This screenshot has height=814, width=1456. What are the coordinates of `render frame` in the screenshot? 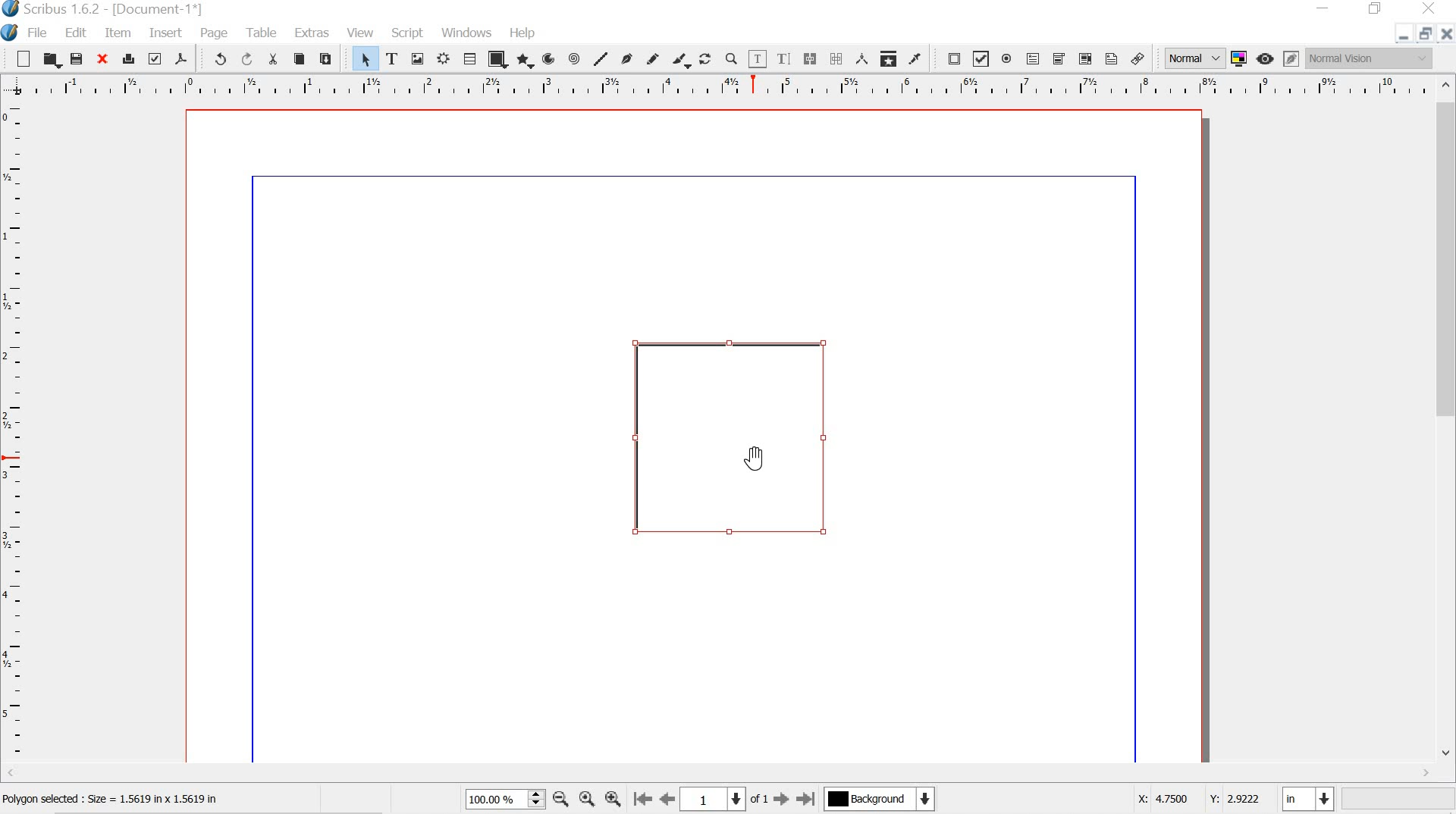 It's located at (444, 59).